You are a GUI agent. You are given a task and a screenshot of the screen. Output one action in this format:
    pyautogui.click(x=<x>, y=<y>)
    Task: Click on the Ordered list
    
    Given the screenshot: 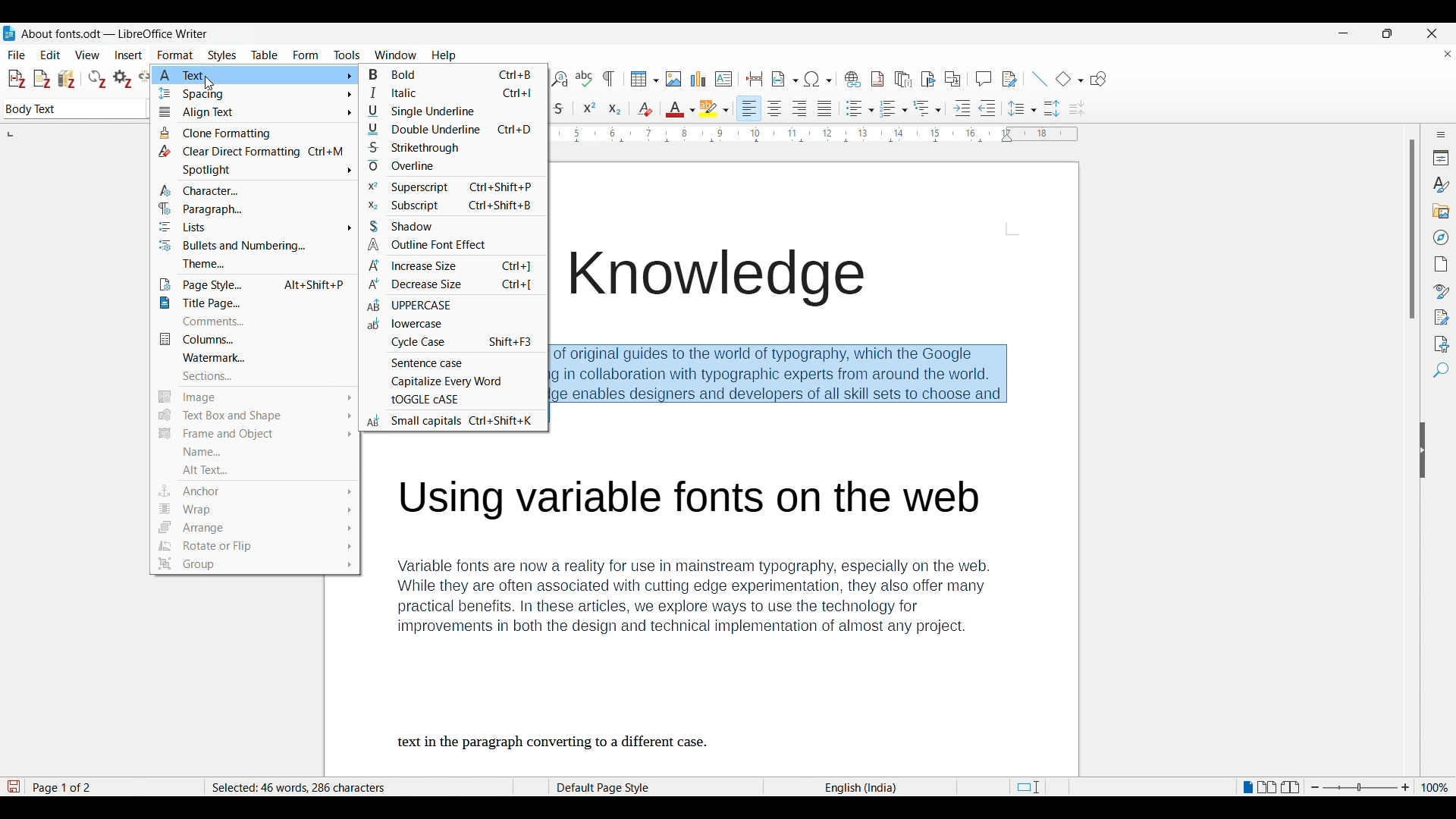 What is the action you would take?
    pyautogui.click(x=894, y=108)
    